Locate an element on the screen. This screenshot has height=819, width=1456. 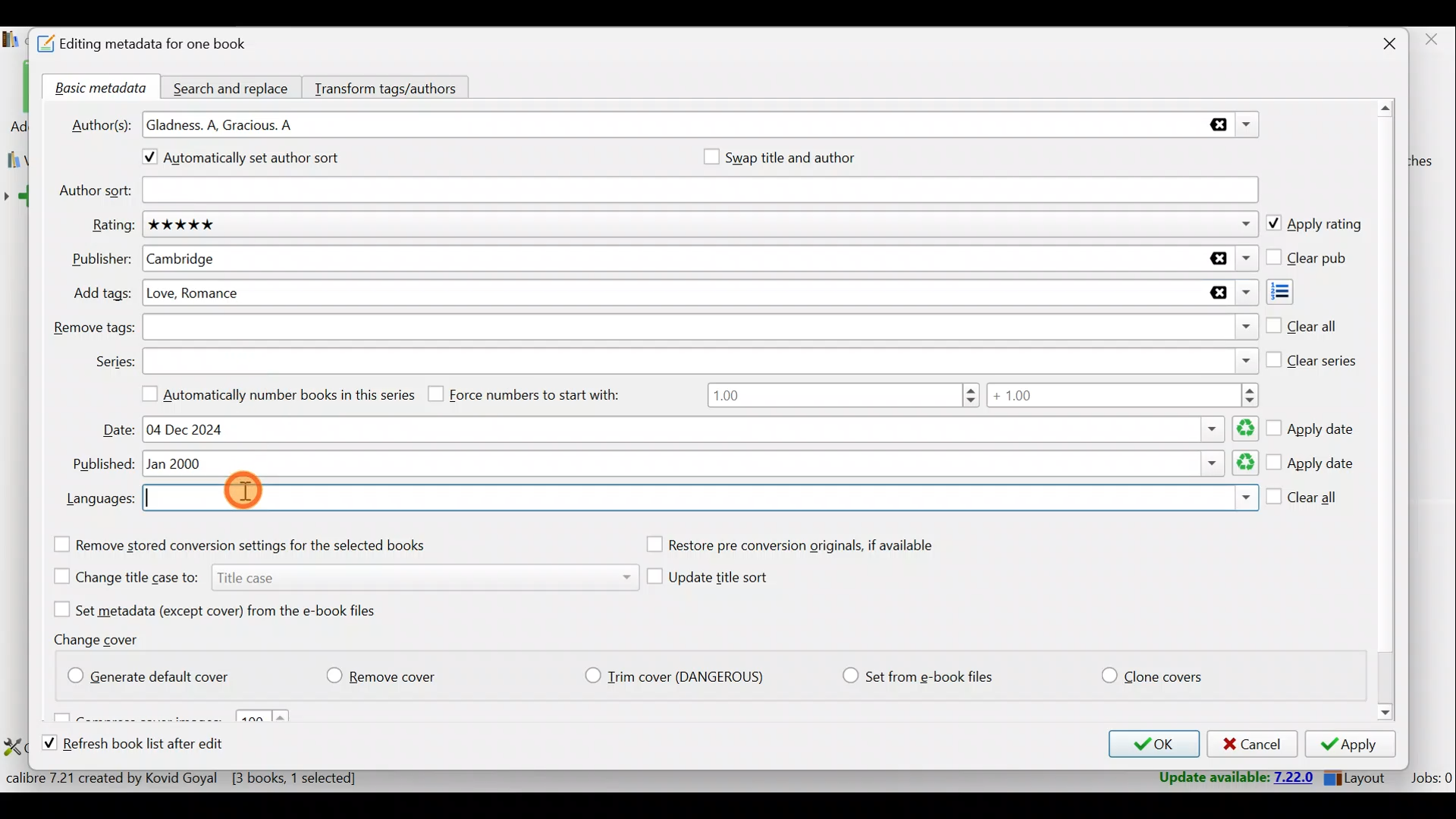
Remove stored conversion settings for the selected books is located at coordinates (260, 544).